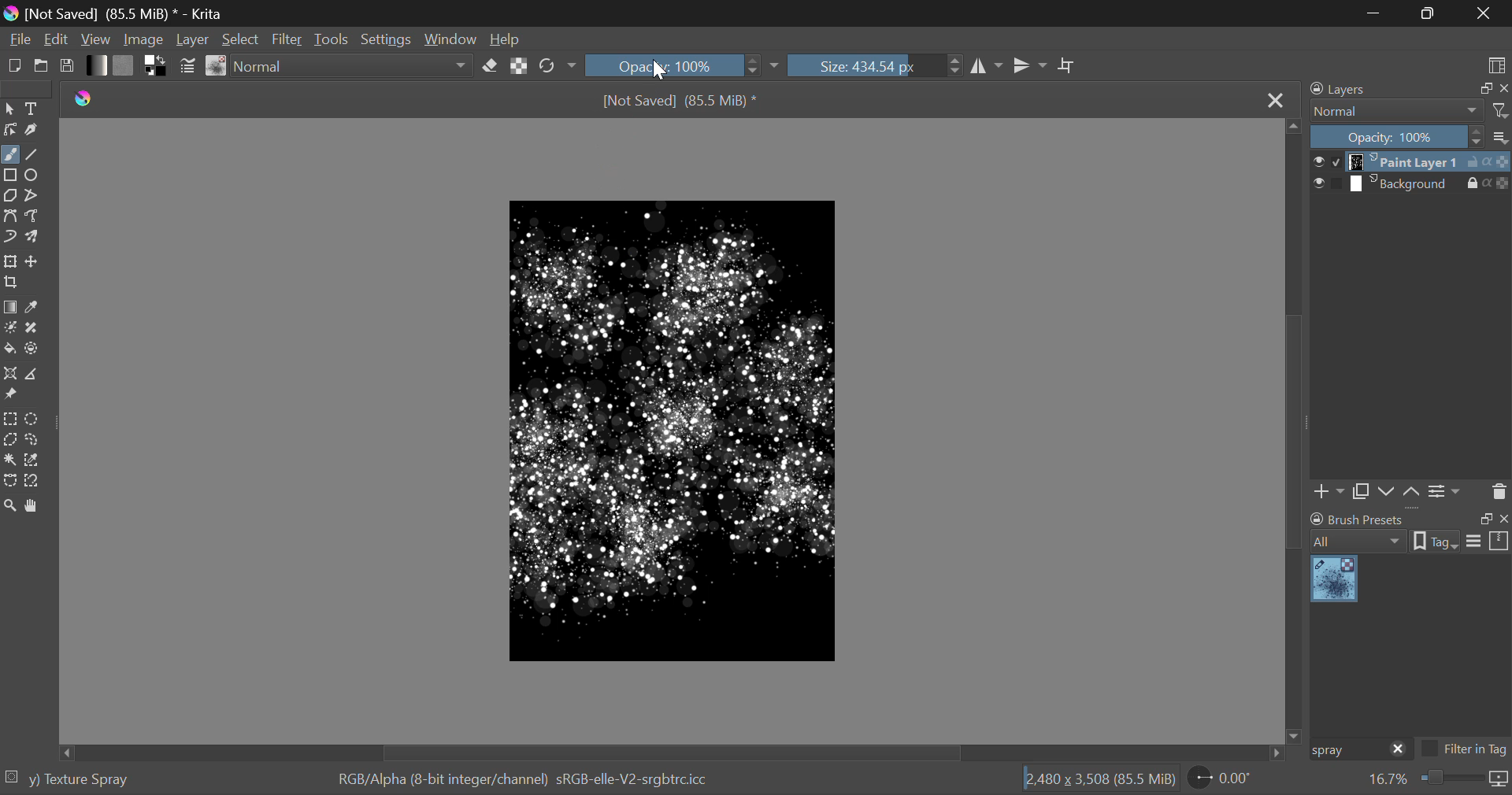 This screenshot has width=1512, height=795. Describe the element at coordinates (1488, 183) in the screenshot. I see `actions` at that location.